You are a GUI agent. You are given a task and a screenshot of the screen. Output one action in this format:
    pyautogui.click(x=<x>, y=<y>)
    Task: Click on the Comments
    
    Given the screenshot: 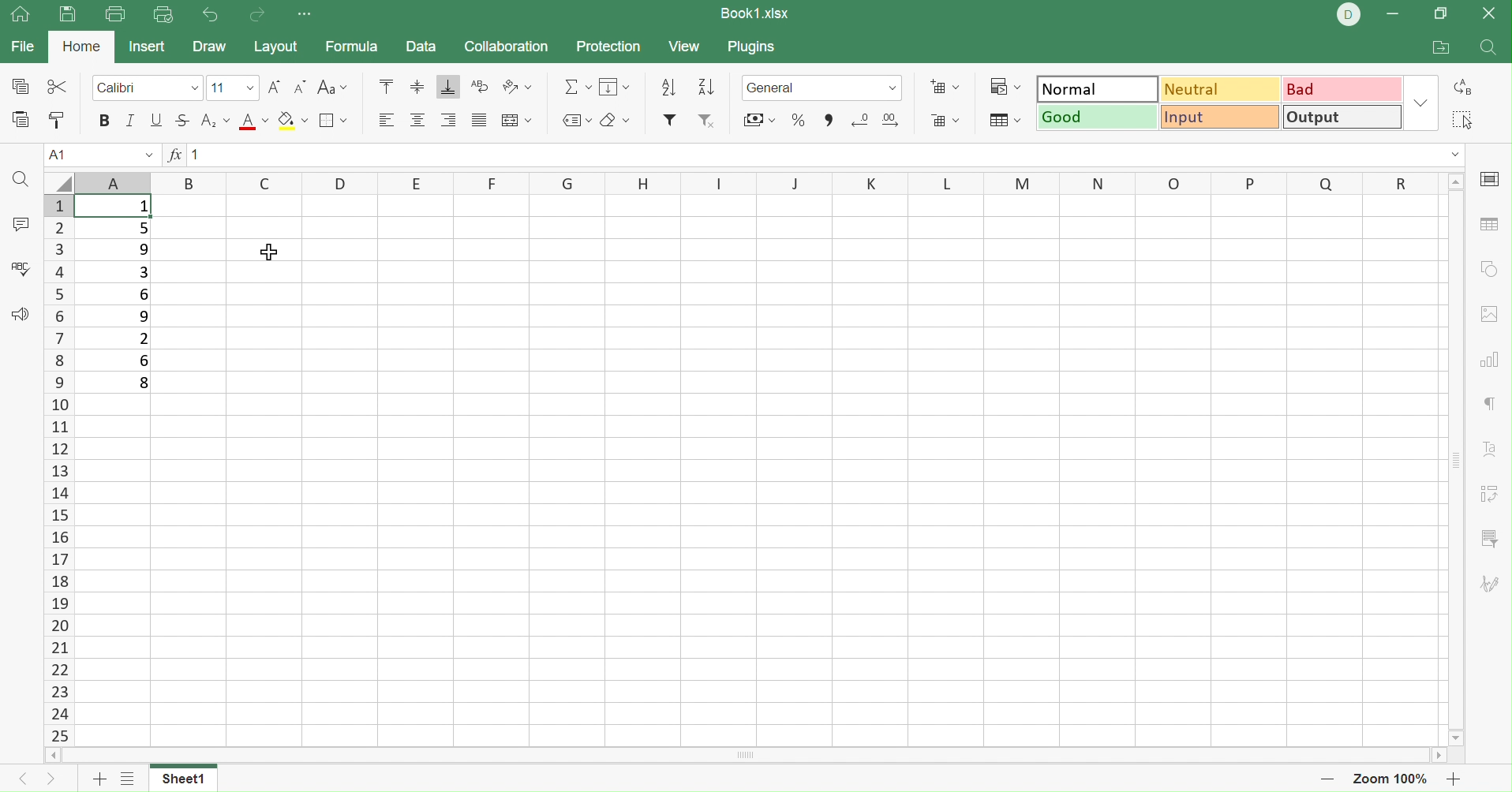 What is the action you would take?
    pyautogui.click(x=20, y=226)
    